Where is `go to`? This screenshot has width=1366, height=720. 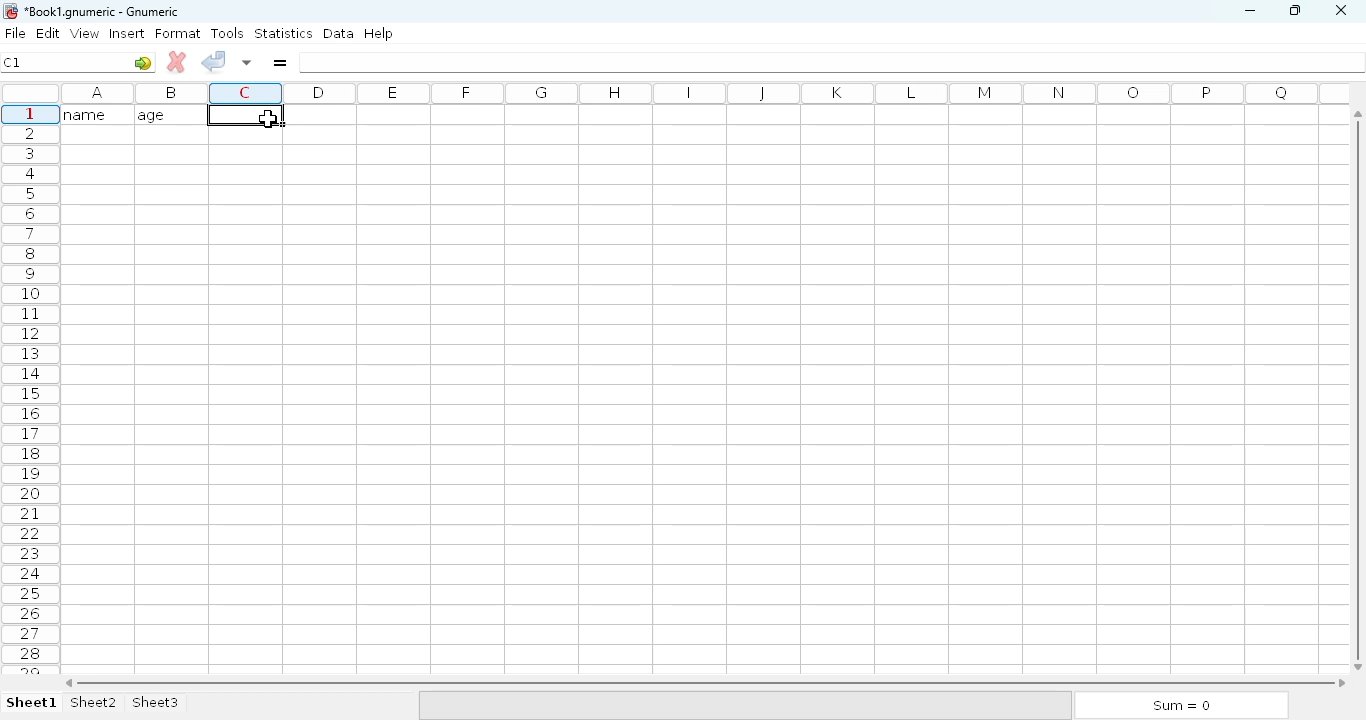
go to is located at coordinates (143, 62).